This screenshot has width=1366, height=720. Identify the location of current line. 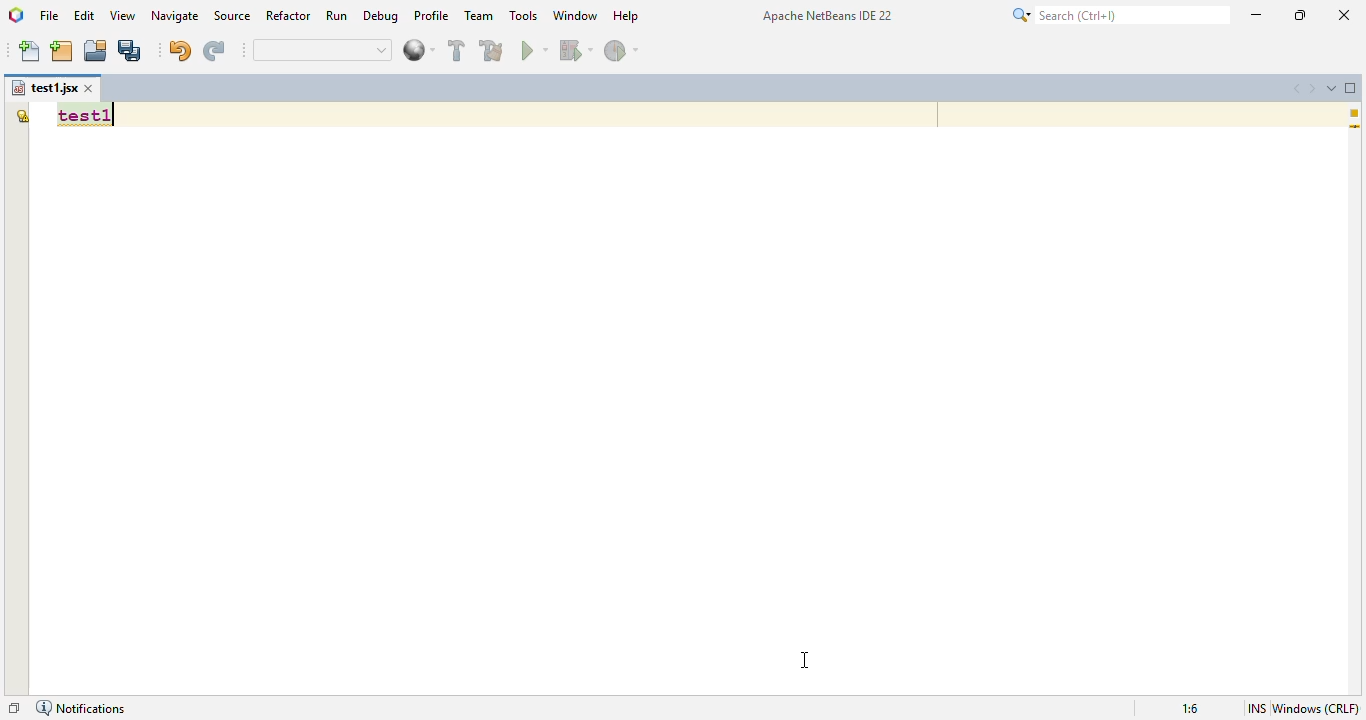
(1355, 128).